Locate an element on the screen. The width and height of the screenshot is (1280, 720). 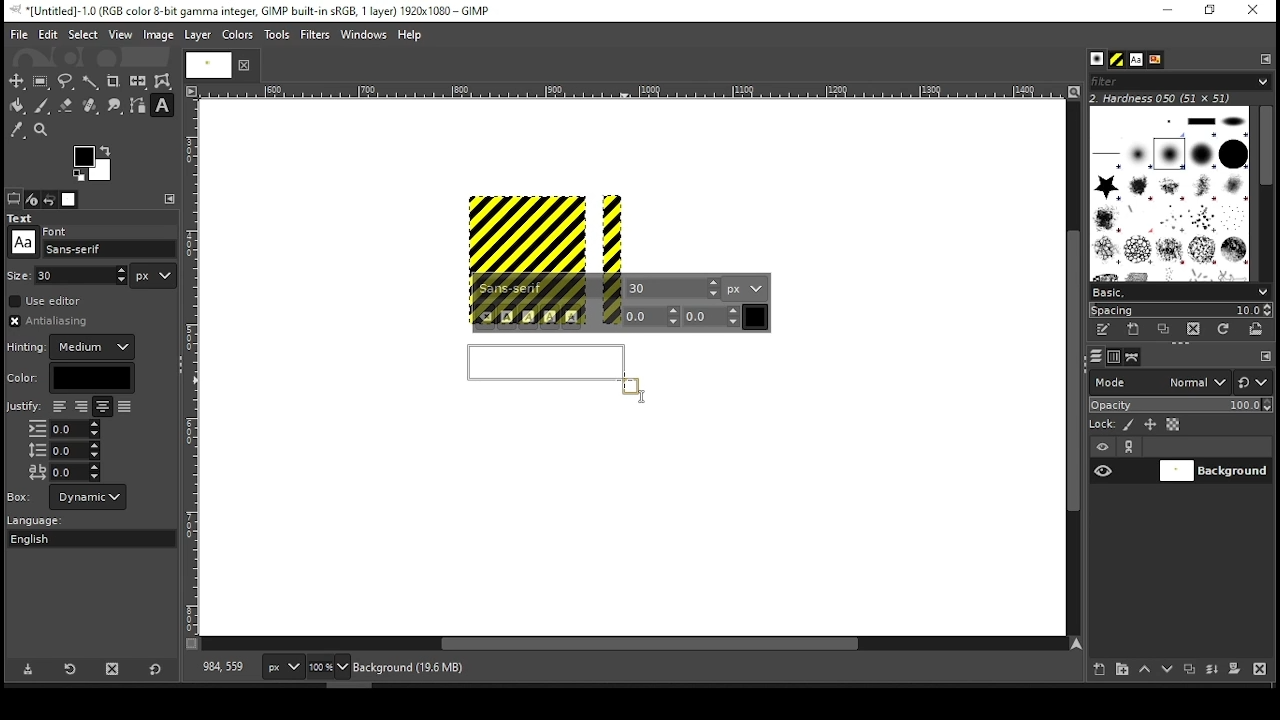
image is located at coordinates (157, 35).